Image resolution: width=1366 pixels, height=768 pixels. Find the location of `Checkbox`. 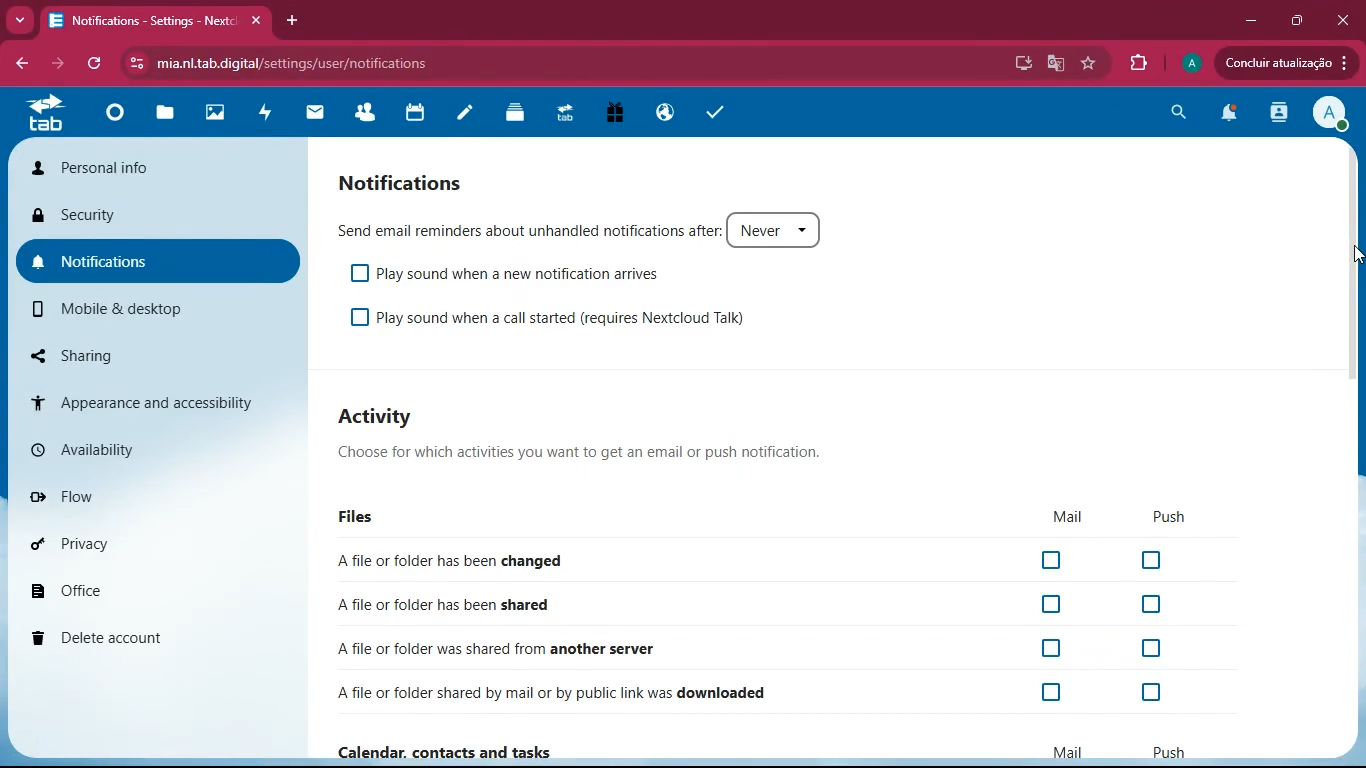

Checkbox is located at coordinates (1054, 604).